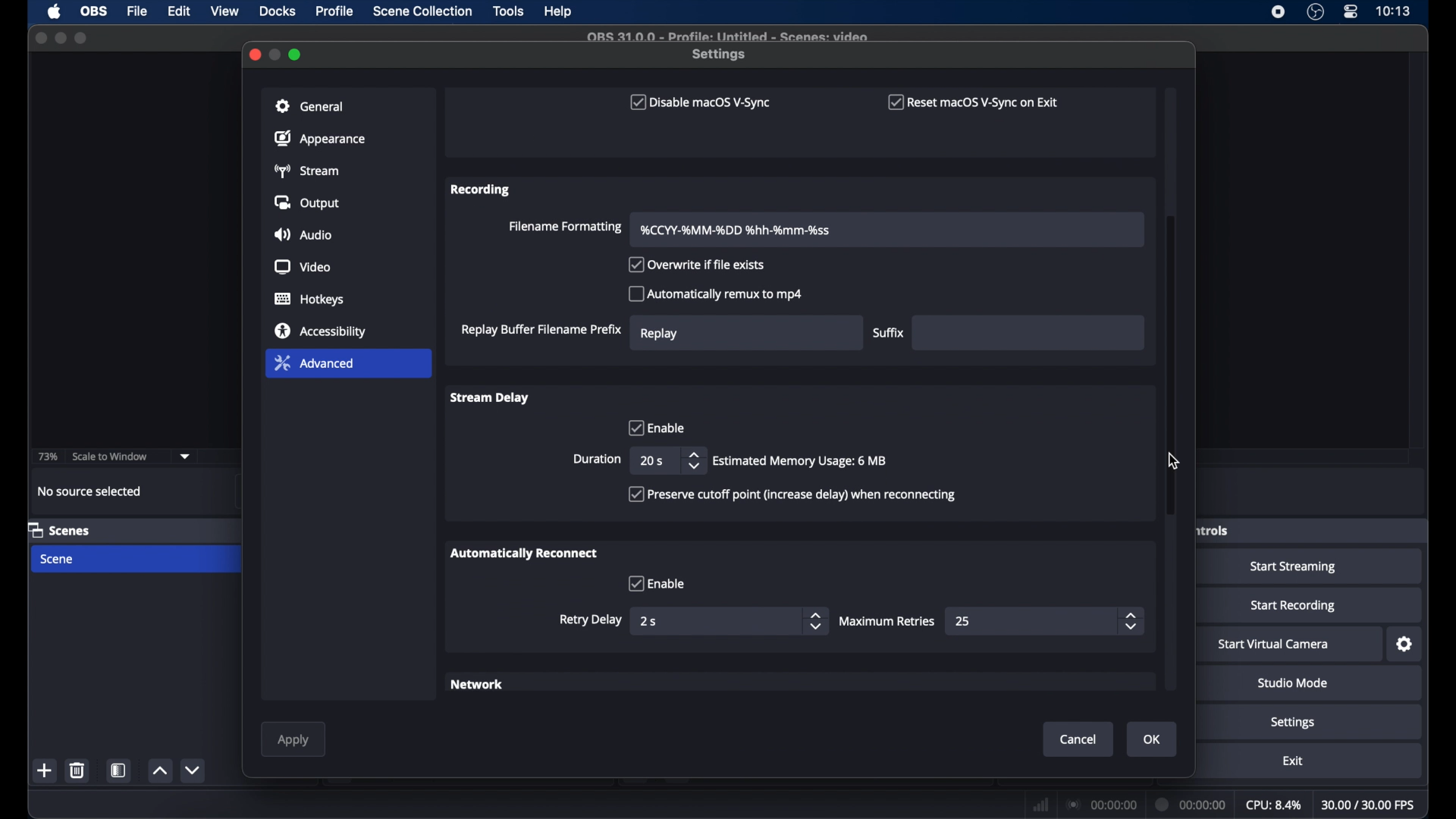 The image size is (1456, 819). I want to click on duration, so click(1191, 803).